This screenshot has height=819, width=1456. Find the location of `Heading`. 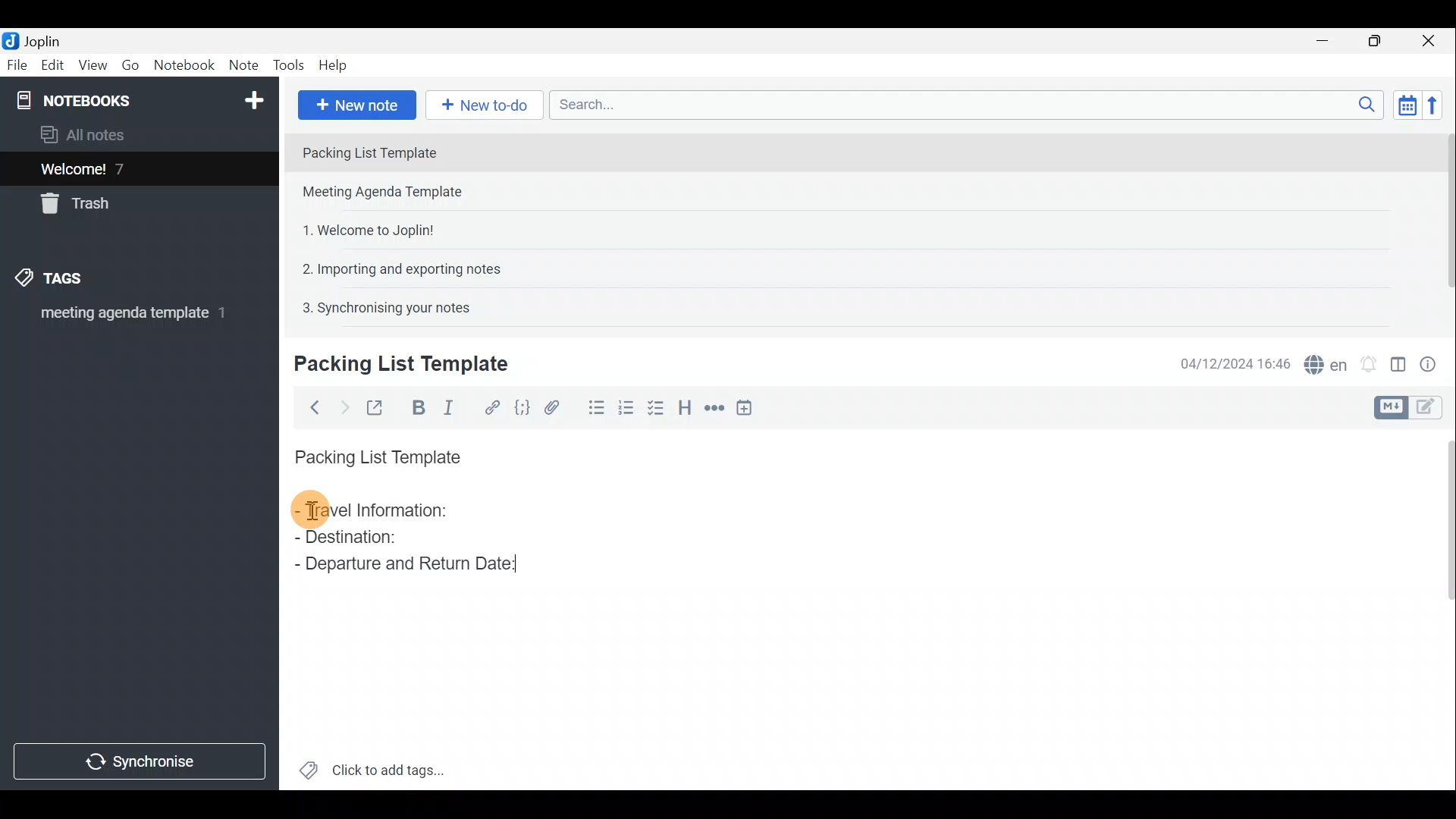

Heading is located at coordinates (686, 406).